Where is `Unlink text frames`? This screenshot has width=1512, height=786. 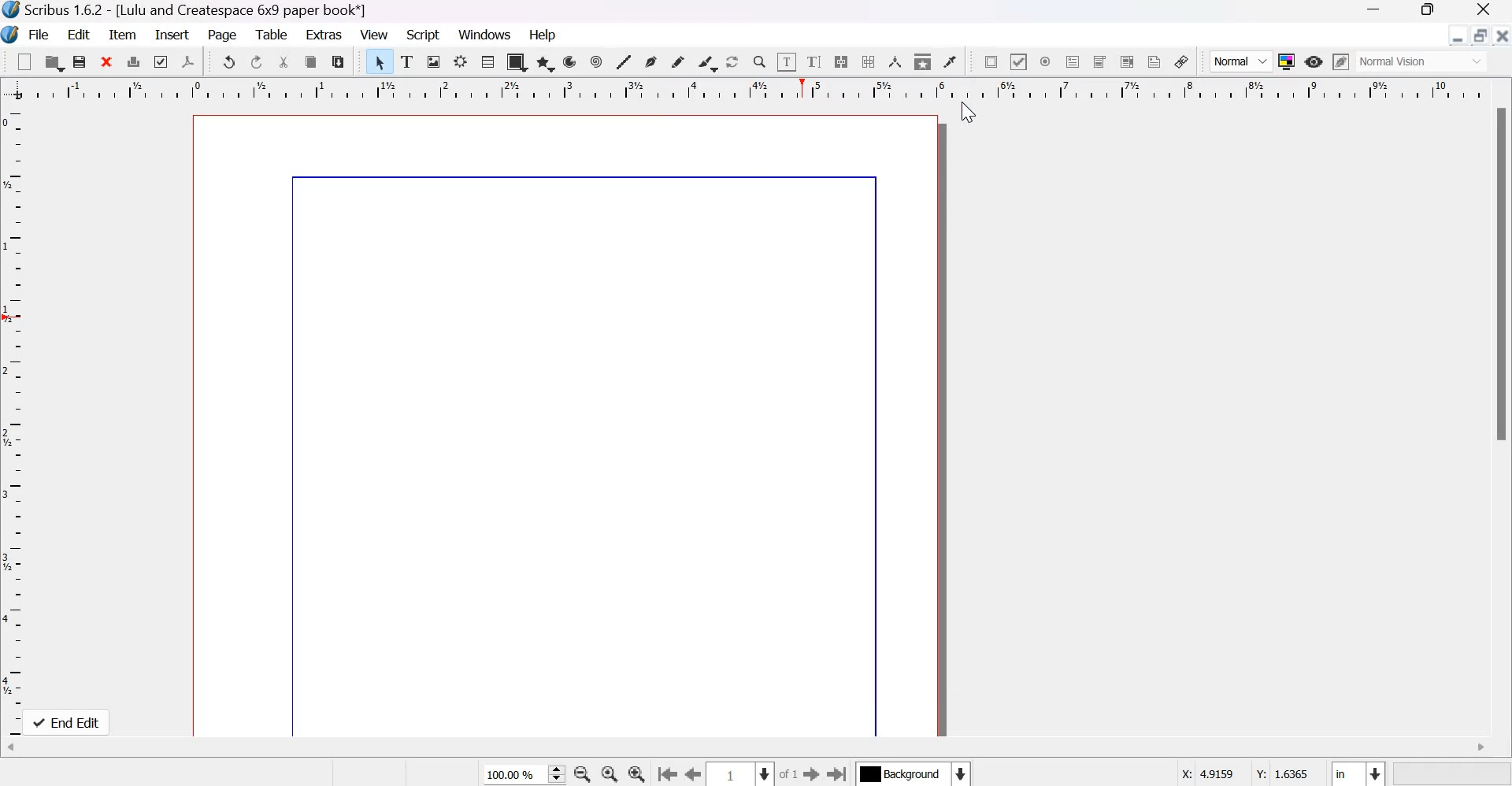 Unlink text frames is located at coordinates (868, 61).